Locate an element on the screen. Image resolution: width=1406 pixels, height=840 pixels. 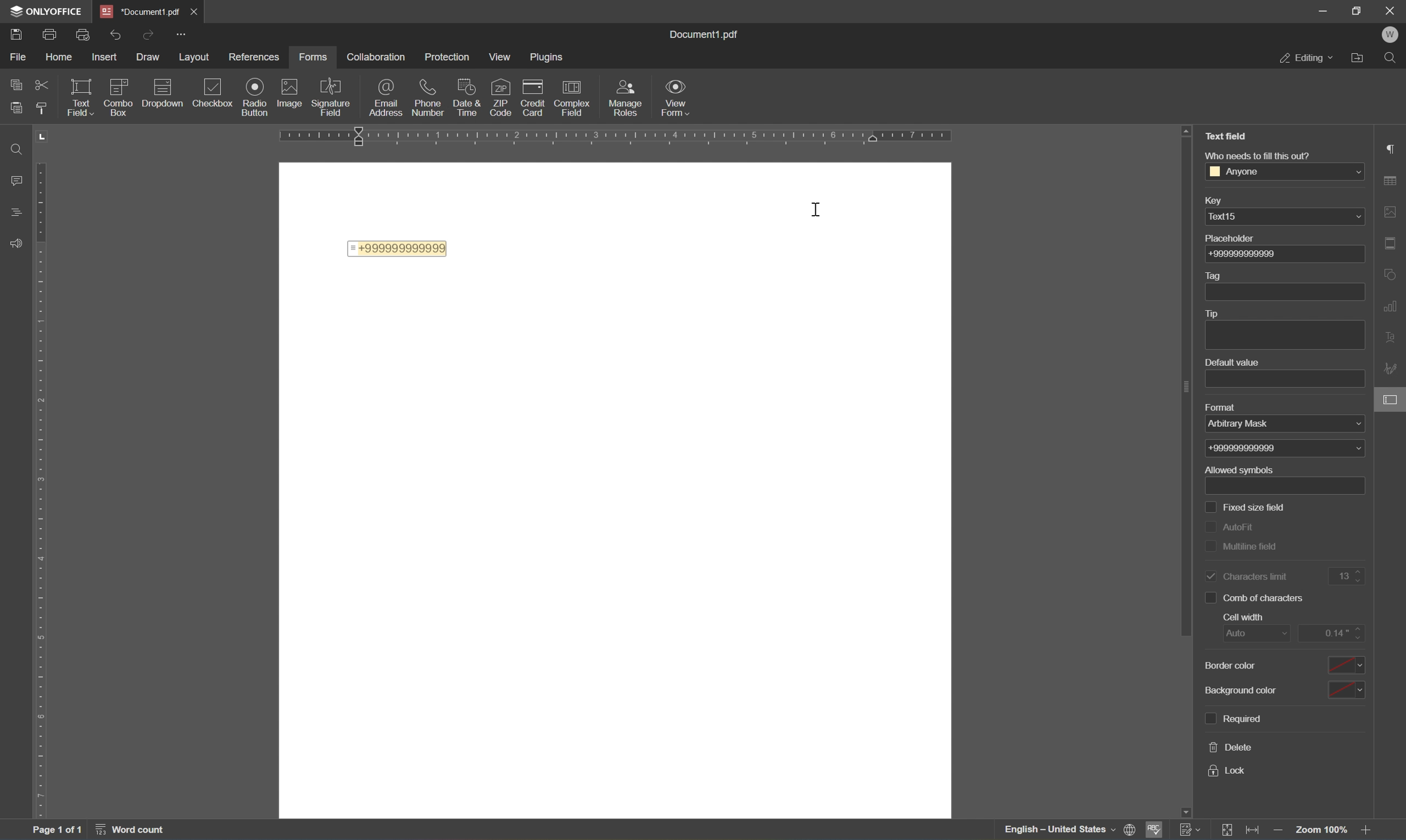
text art settings is located at coordinates (1395, 336).